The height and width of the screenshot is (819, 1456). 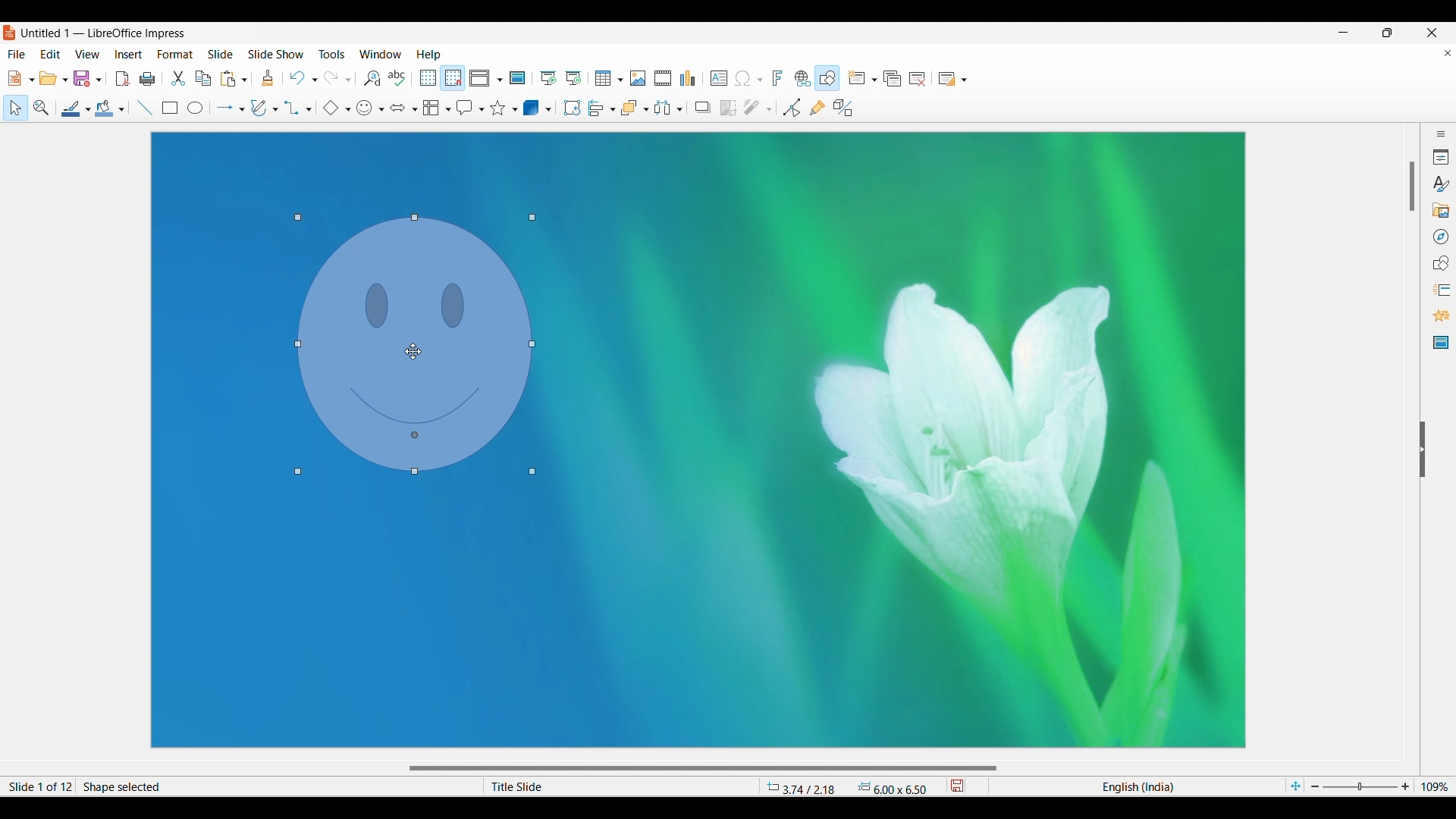 What do you see at coordinates (99, 80) in the screenshot?
I see `Save options` at bounding box center [99, 80].